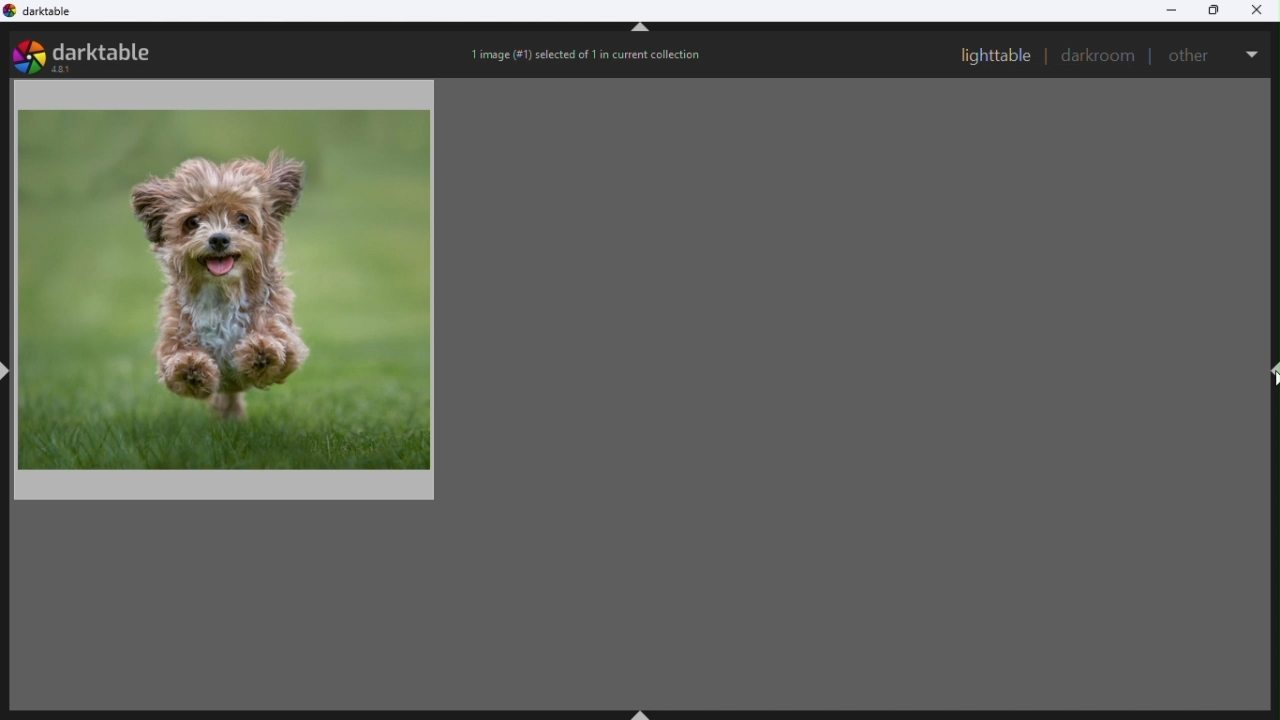  Describe the element at coordinates (1262, 10) in the screenshot. I see `Close` at that location.